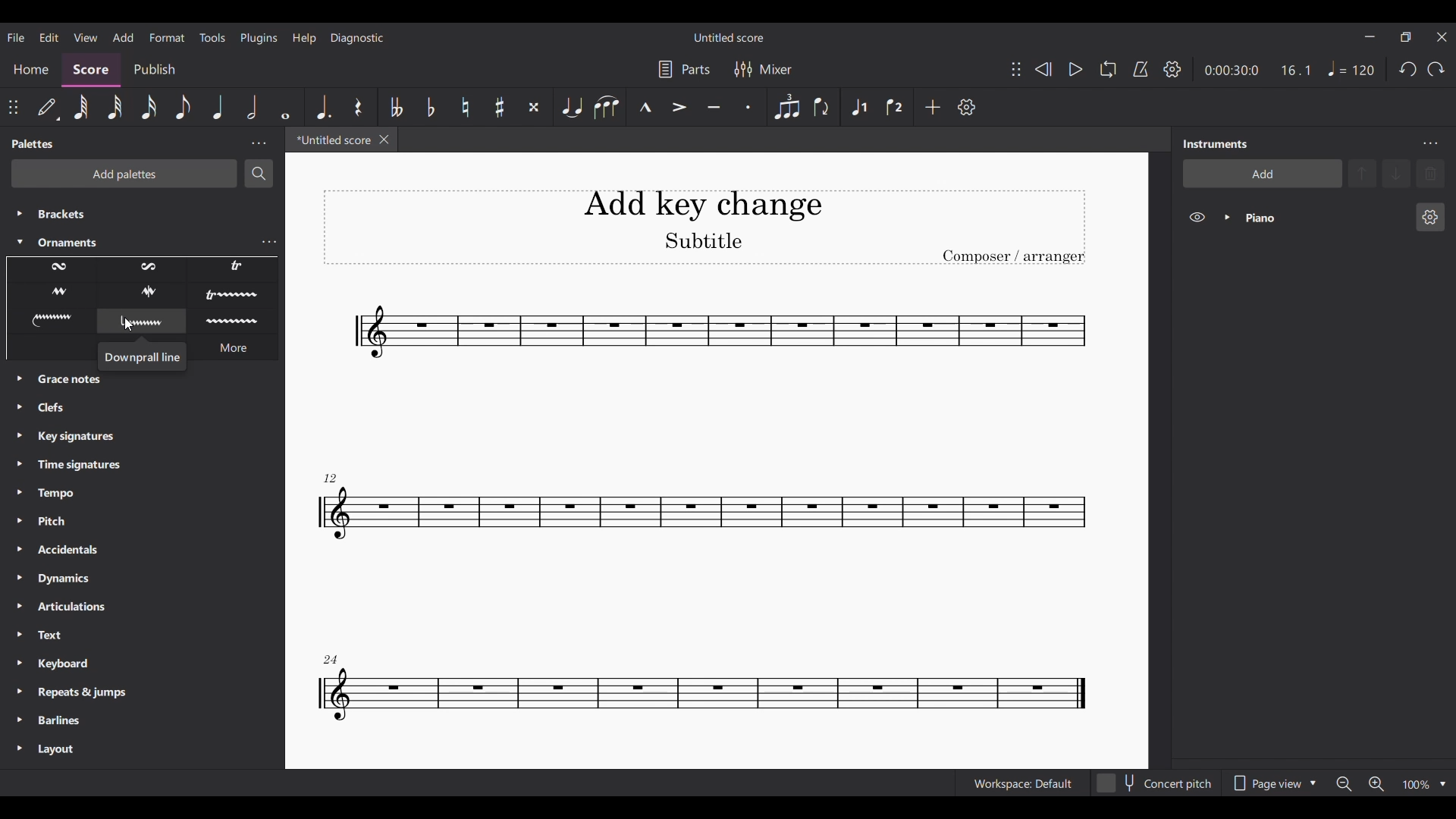 The width and height of the screenshot is (1456, 819). Describe the element at coordinates (1197, 217) in the screenshot. I see `Hide piano` at that location.